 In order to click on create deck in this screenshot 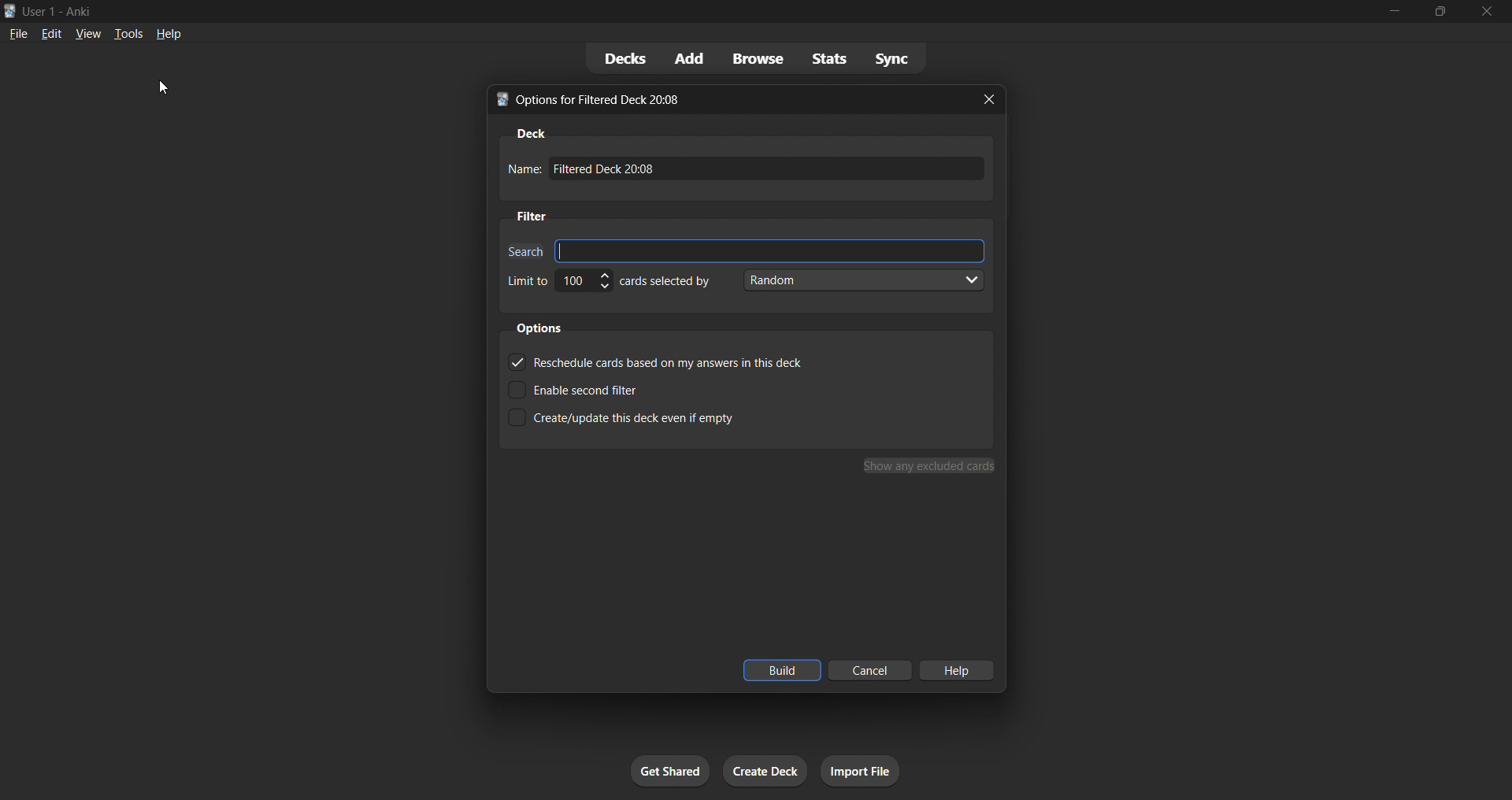, I will do `click(762, 770)`.